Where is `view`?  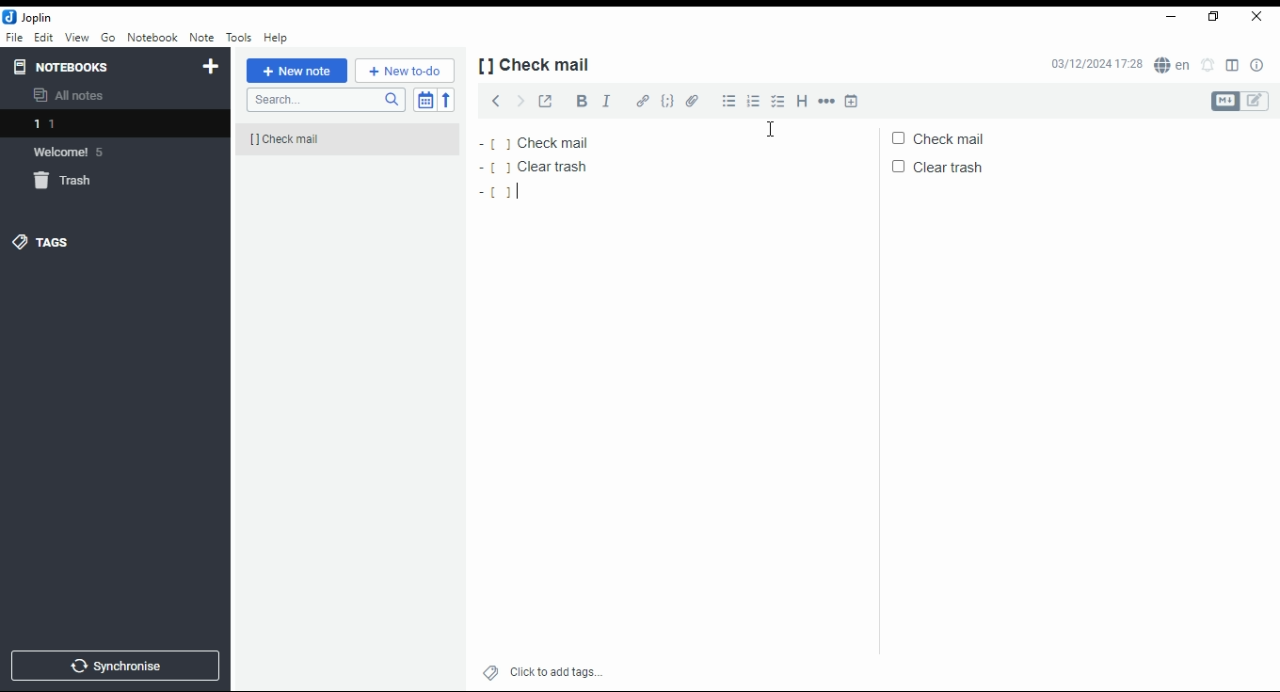 view is located at coordinates (78, 38).